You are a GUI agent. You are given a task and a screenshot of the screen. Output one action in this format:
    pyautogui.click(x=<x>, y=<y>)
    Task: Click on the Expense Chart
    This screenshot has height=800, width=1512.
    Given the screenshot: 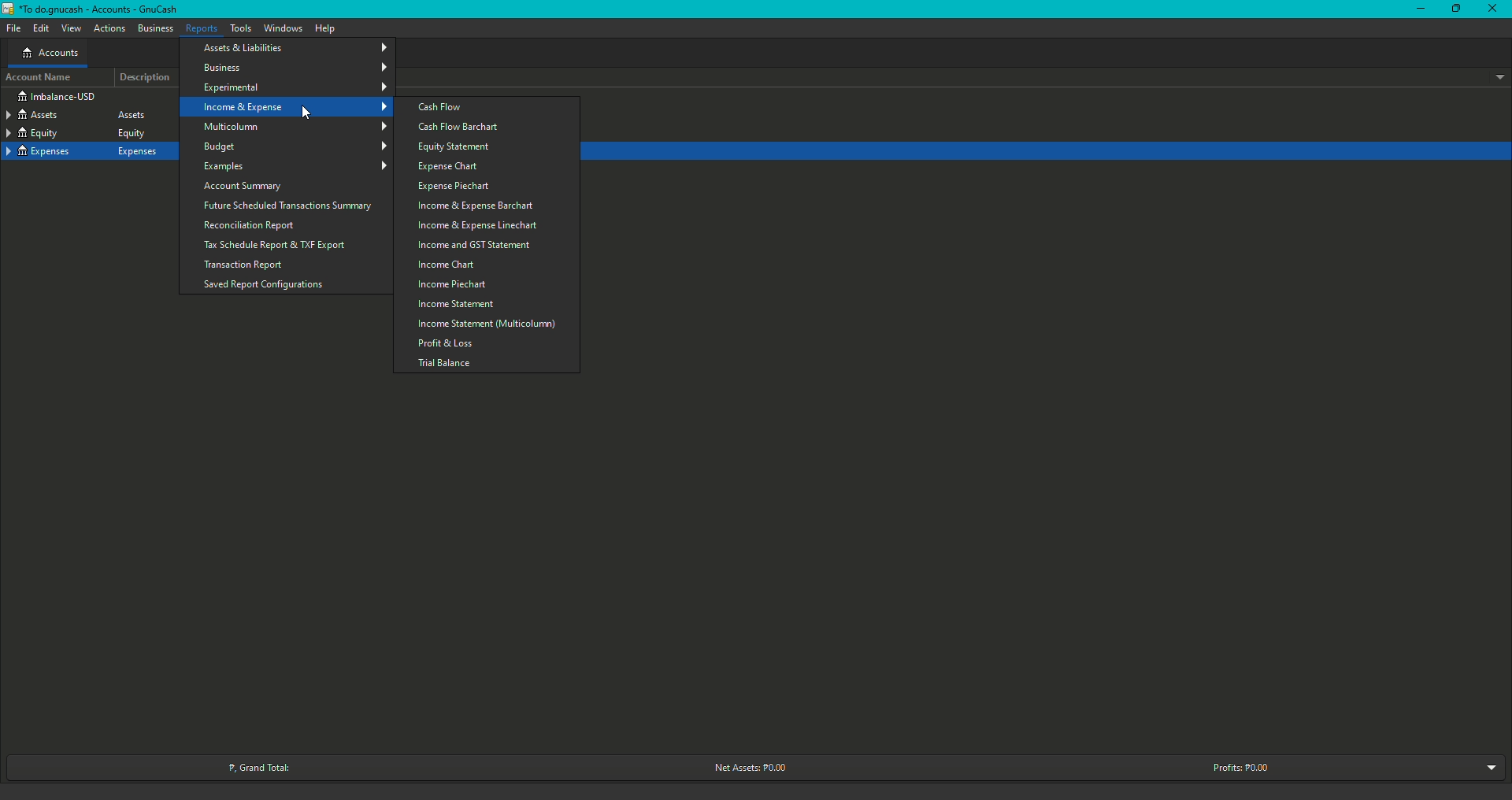 What is the action you would take?
    pyautogui.click(x=447, y=167)
    